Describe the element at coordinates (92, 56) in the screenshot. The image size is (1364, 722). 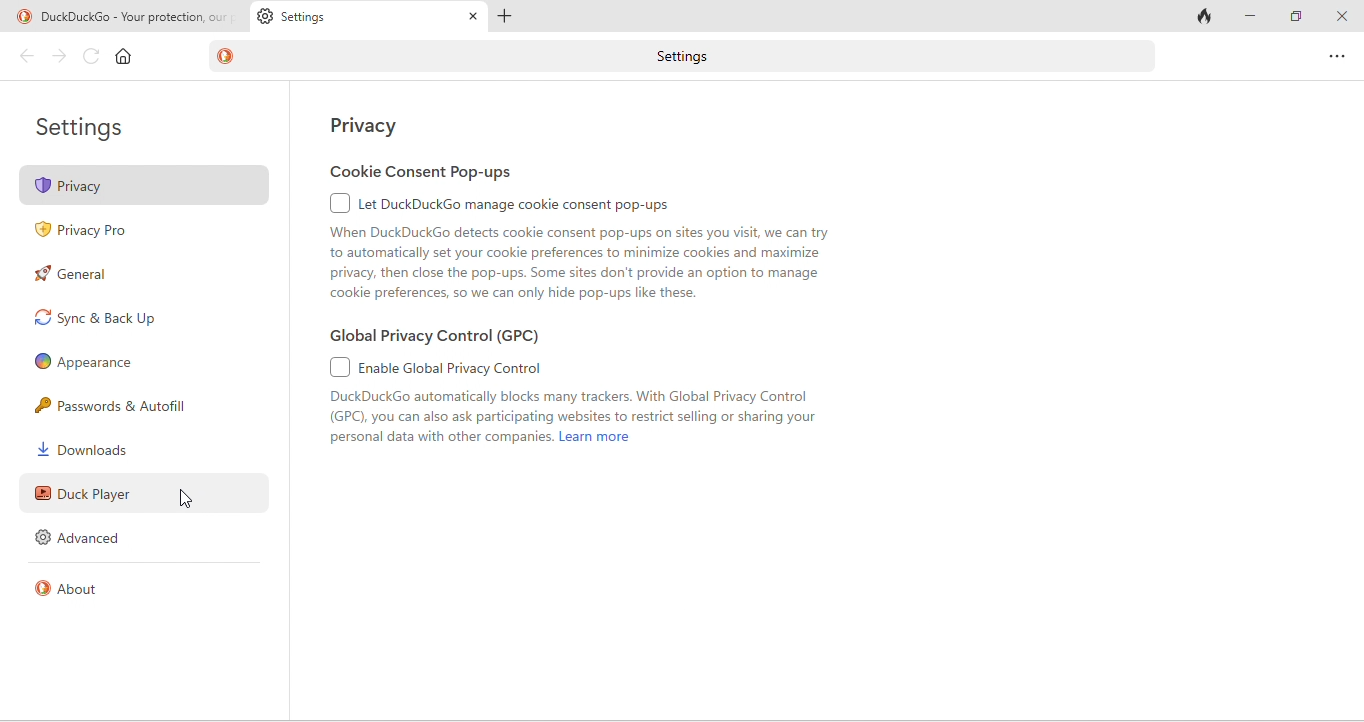
I see `refresh` at that location.